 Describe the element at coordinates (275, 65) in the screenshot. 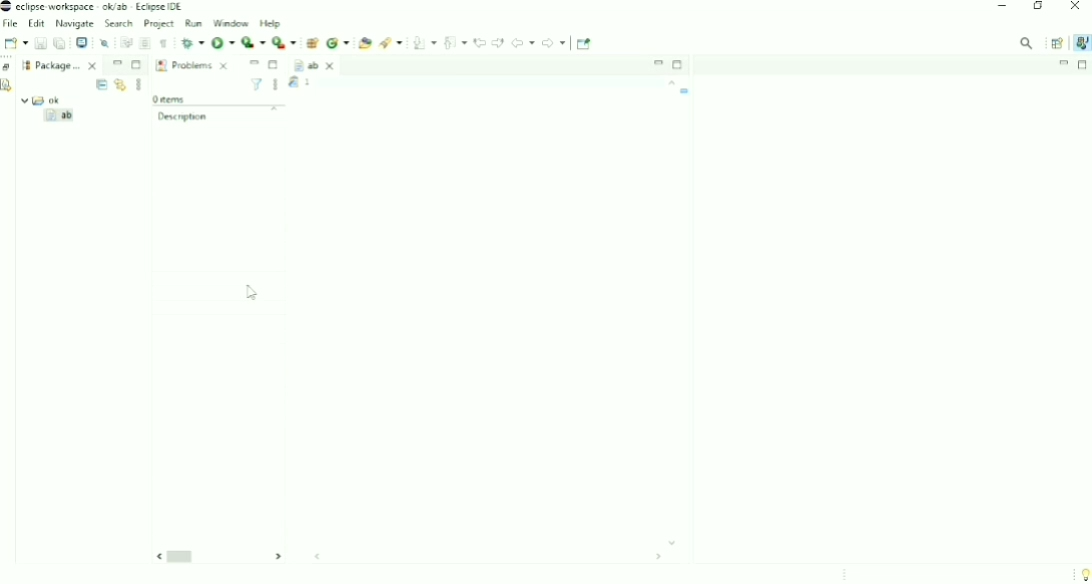

I see `Maximize` at that location.